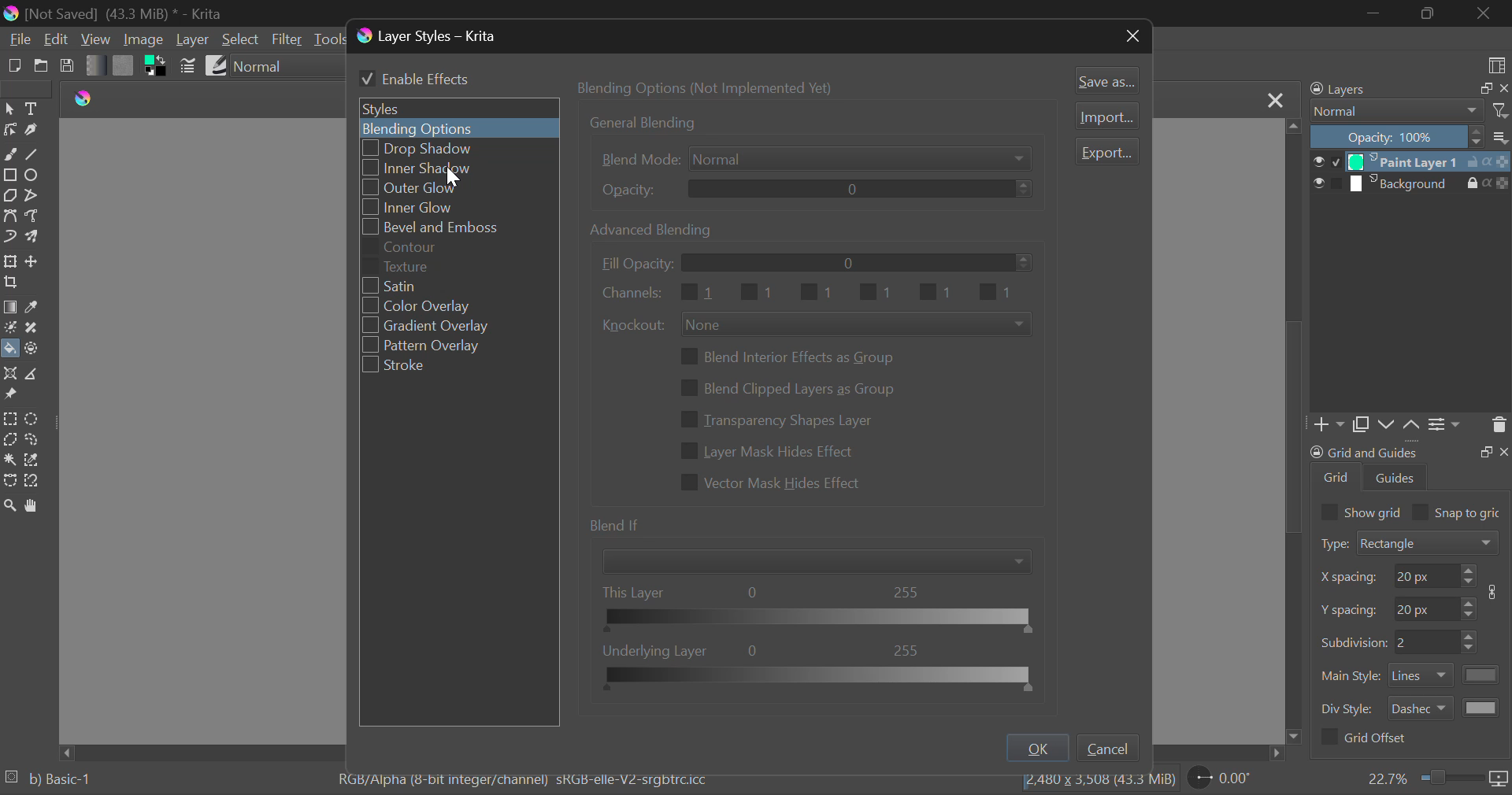 The image size is (1512, 795). I want to click on Reference Images, so click(9, 394).